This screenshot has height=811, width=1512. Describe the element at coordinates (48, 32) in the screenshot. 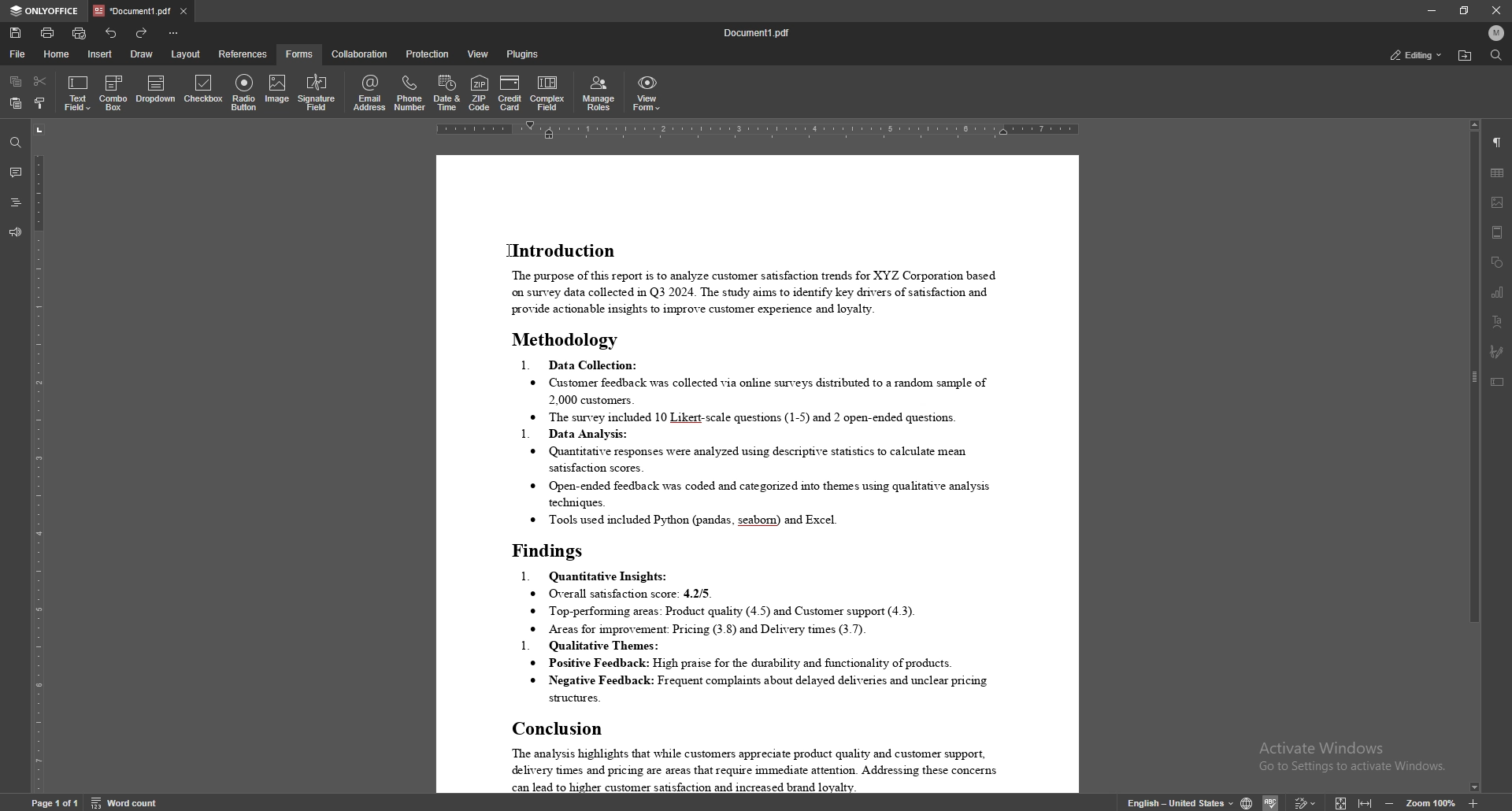

I see `print` at that location.